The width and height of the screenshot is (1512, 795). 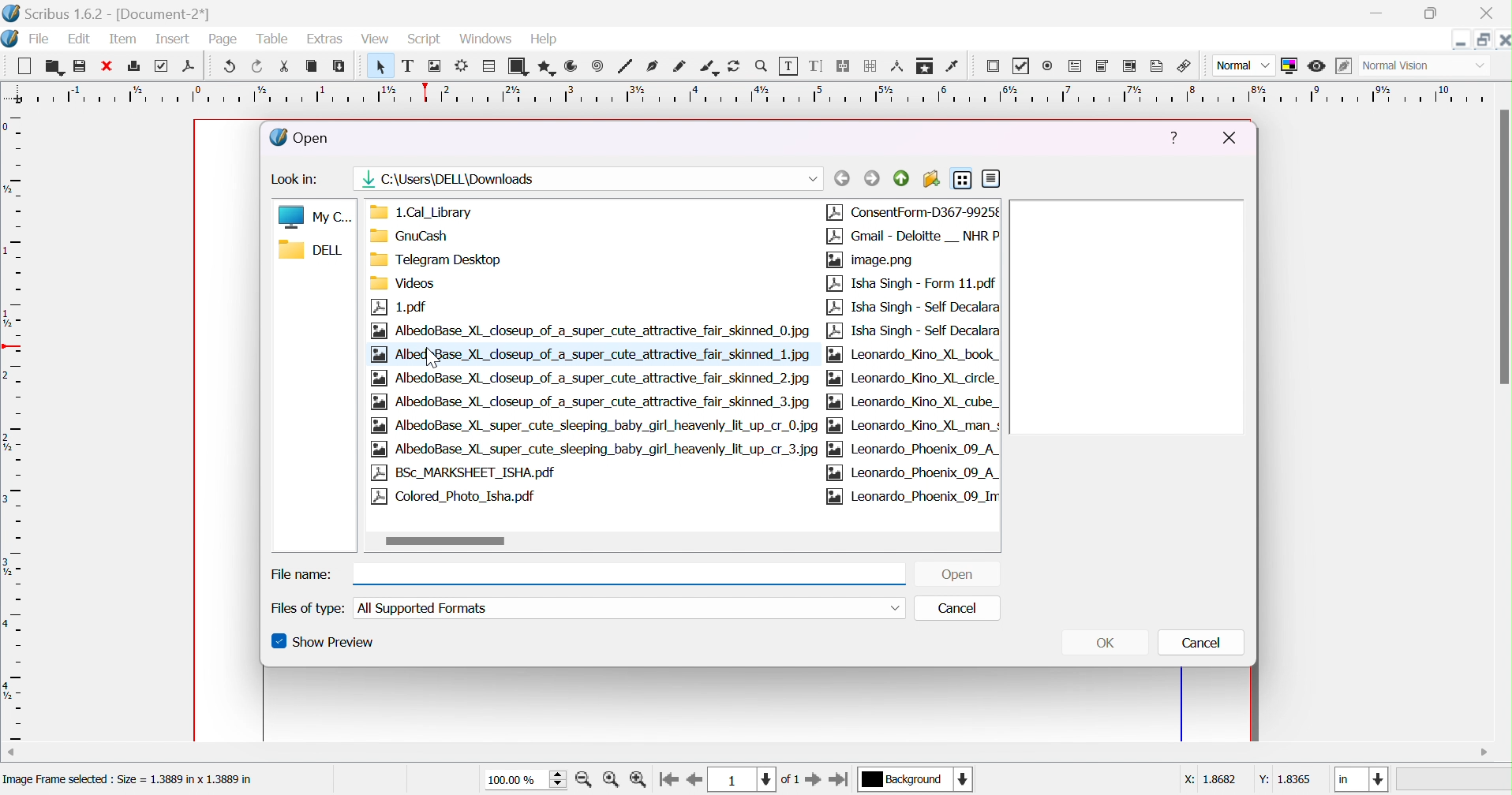 What do you see at coordinates (304, 139) in the screenshot?
I see `open` at bounding box center [304, 139].